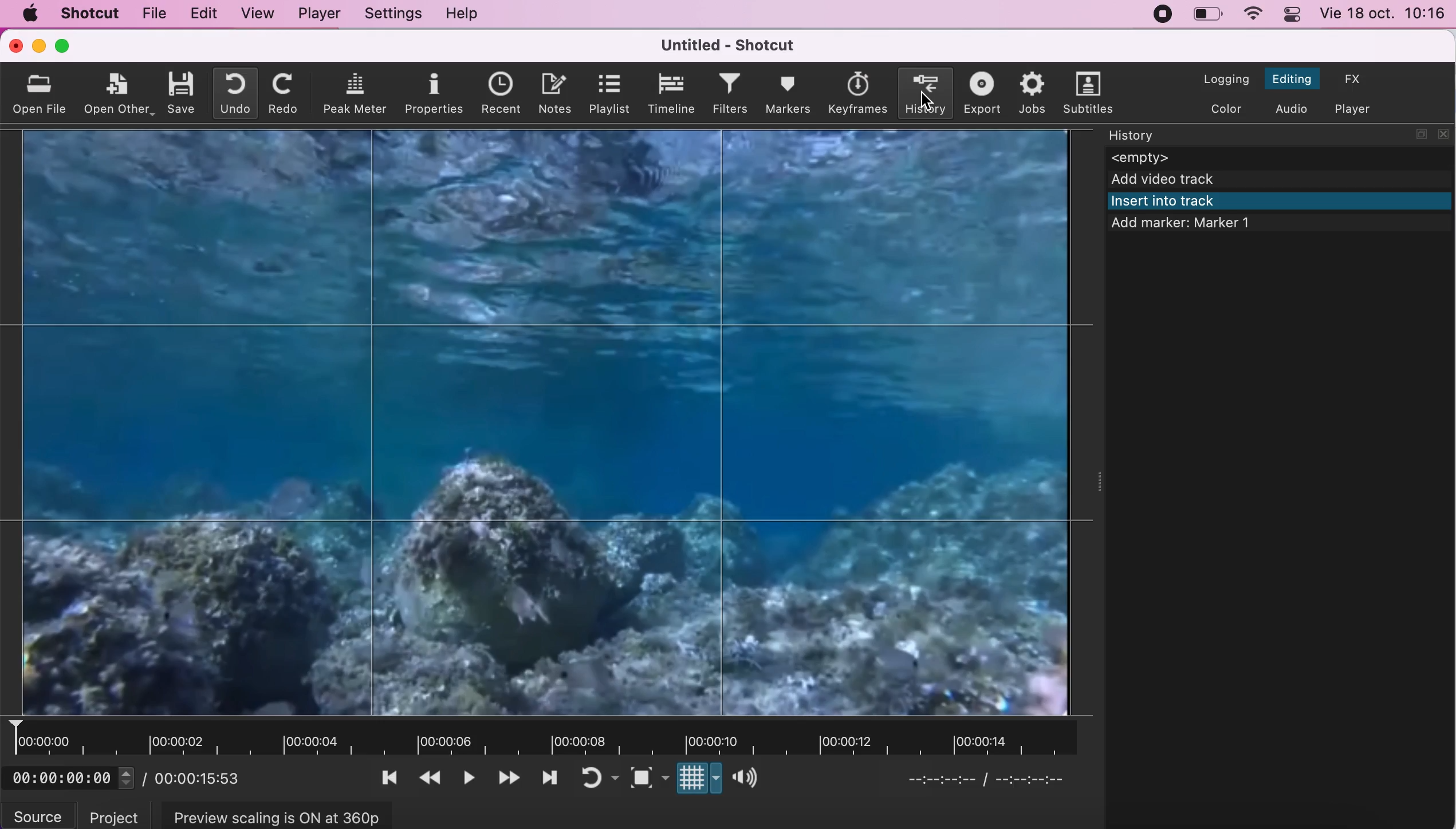 This screenshot has width=1456, height=829. Describe the element at coordinates (1426, 14) in the screenshot. I see `10:16` at that location.